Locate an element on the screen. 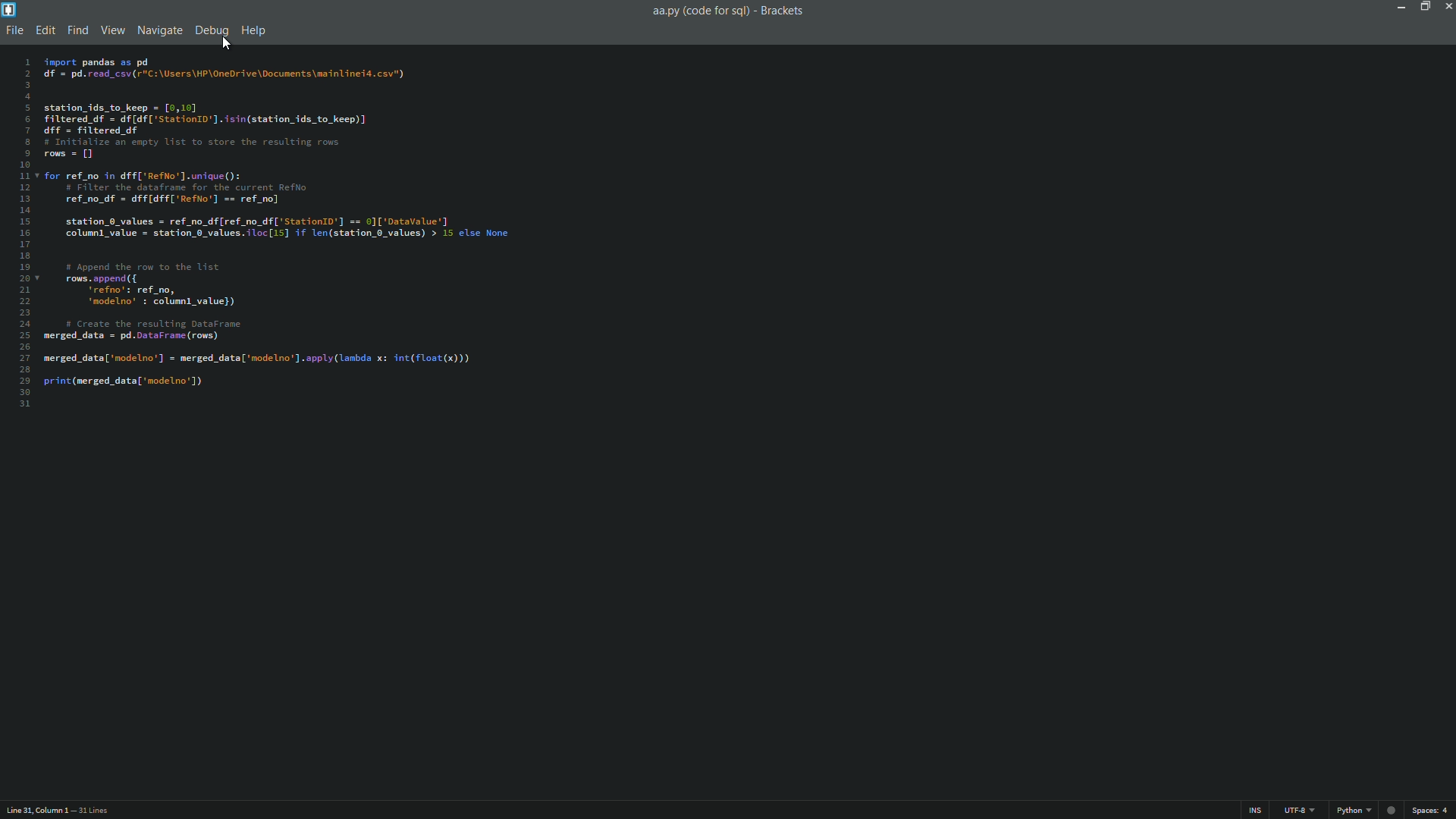 The image size is (1456, 819). maximize is located at coordinates (1422, 6).